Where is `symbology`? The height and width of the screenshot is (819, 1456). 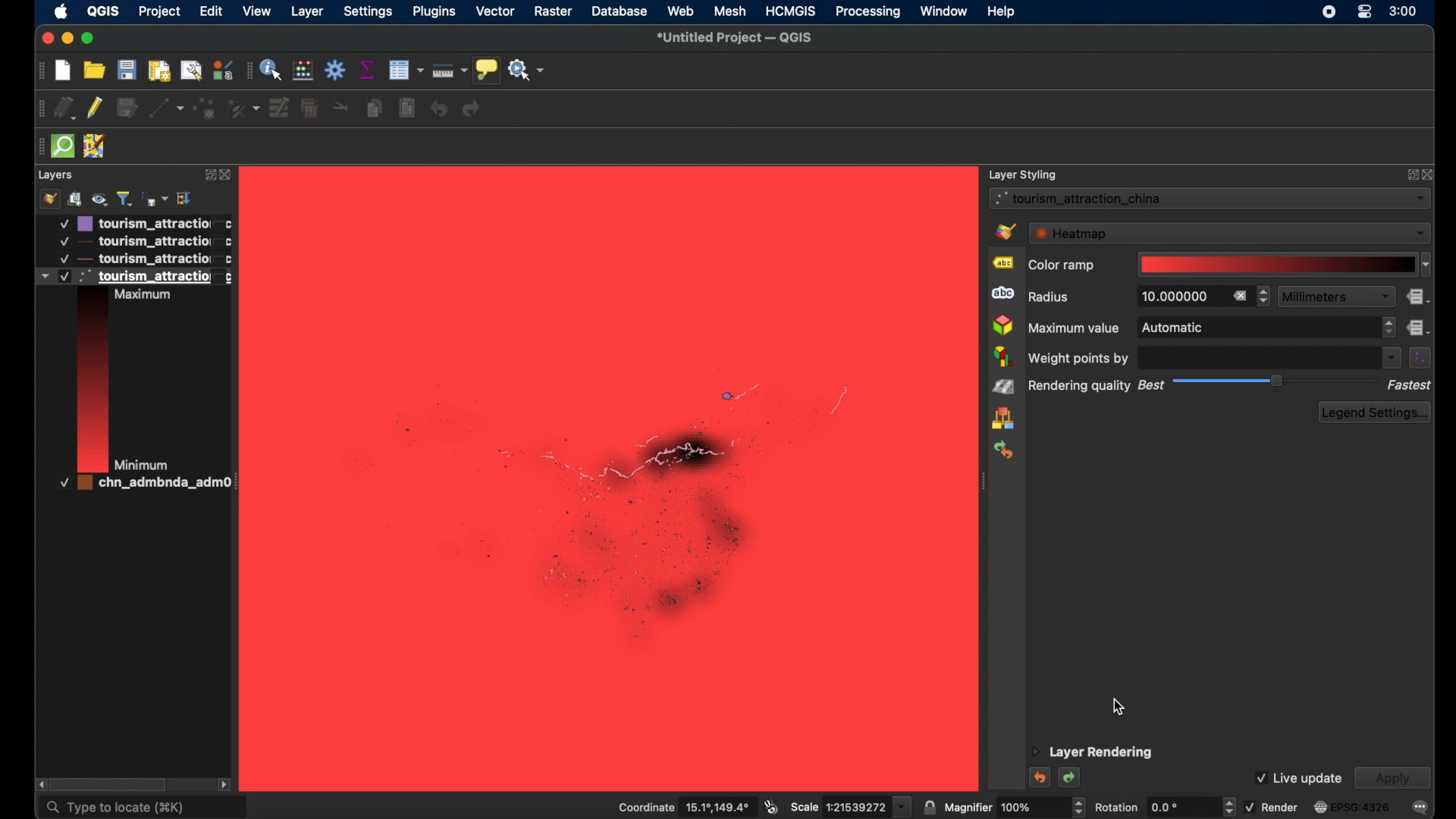 symbology is located at coordinates (1005, 231).